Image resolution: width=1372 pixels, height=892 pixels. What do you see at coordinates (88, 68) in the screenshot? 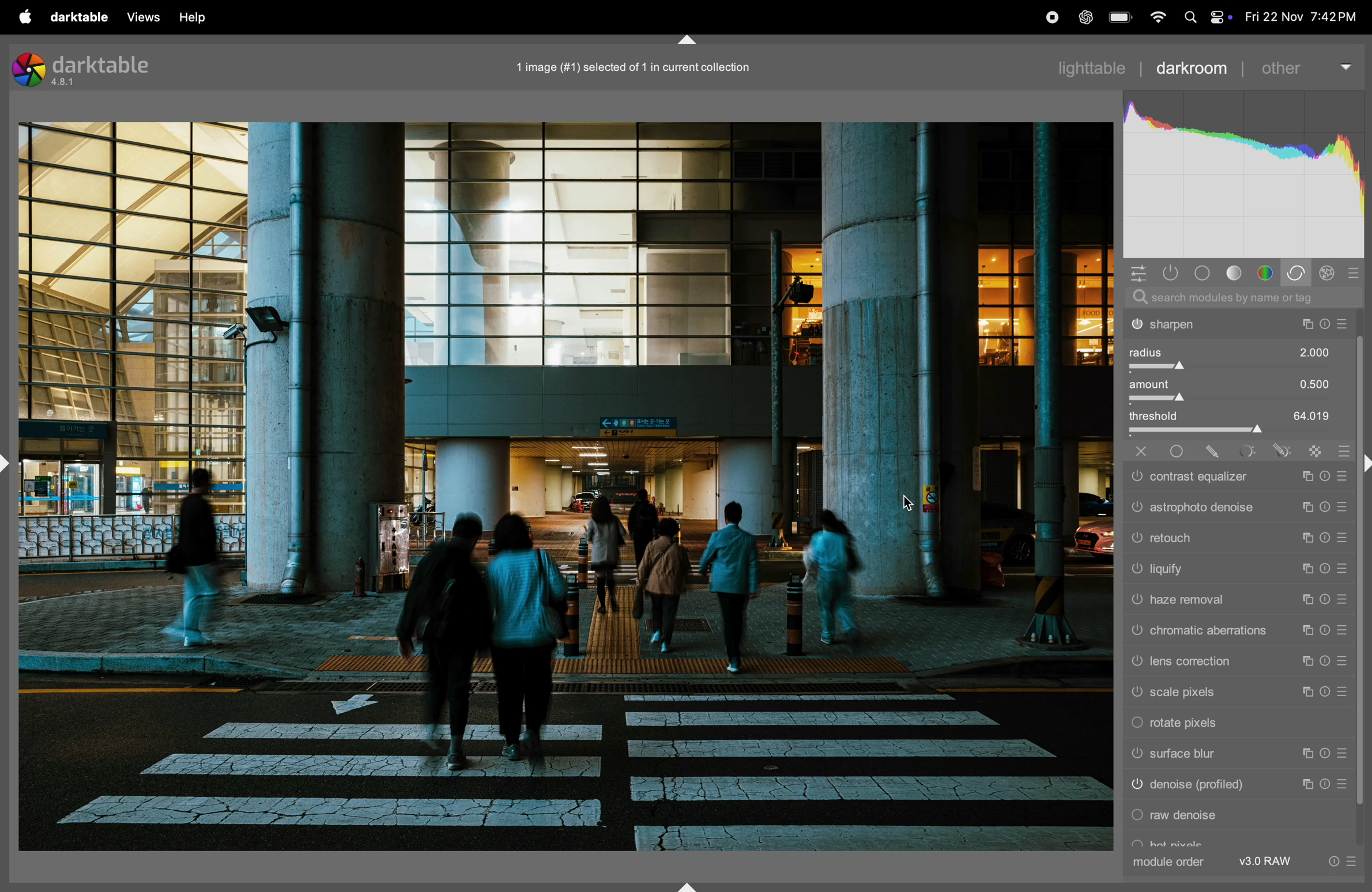
I see `darktable` at bounding box center [88, 68].